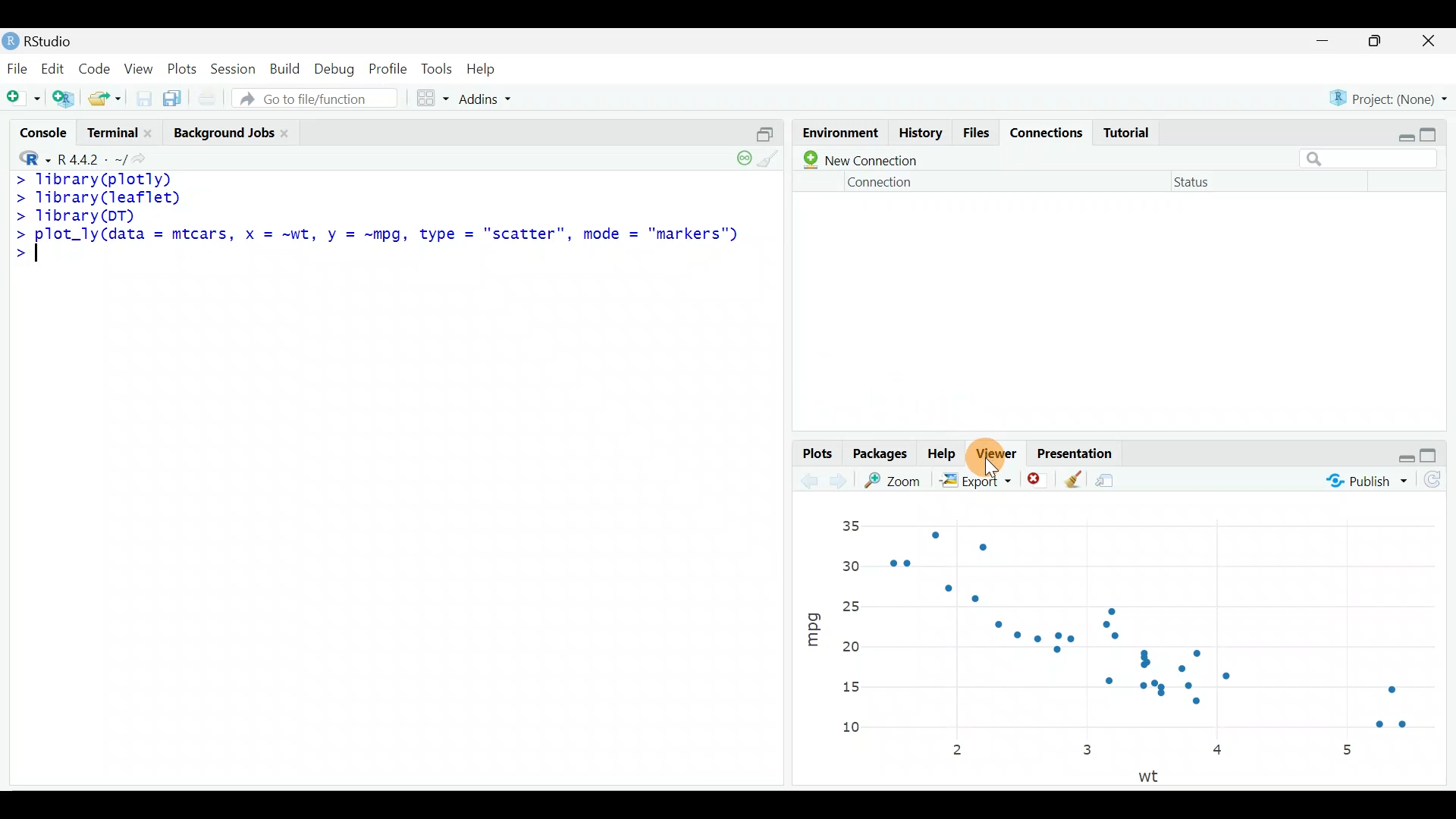 This screenshot has width=1456, height=819. What do you see at coordinates (67, 98) in the screenshot?
I see `Create a project` at bounding box center [67, 98].